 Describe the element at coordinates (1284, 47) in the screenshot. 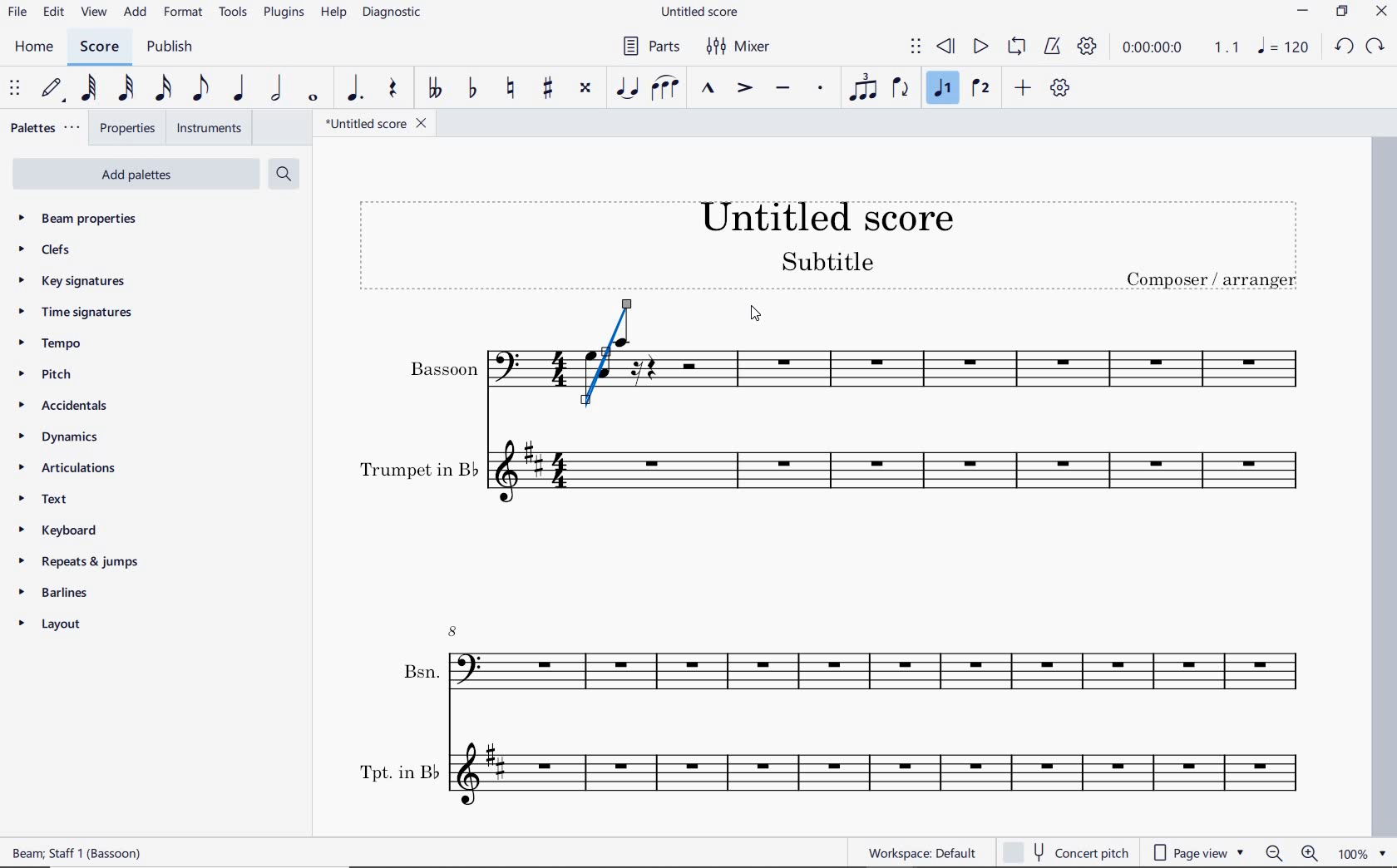

I see `NOTE` at that location.